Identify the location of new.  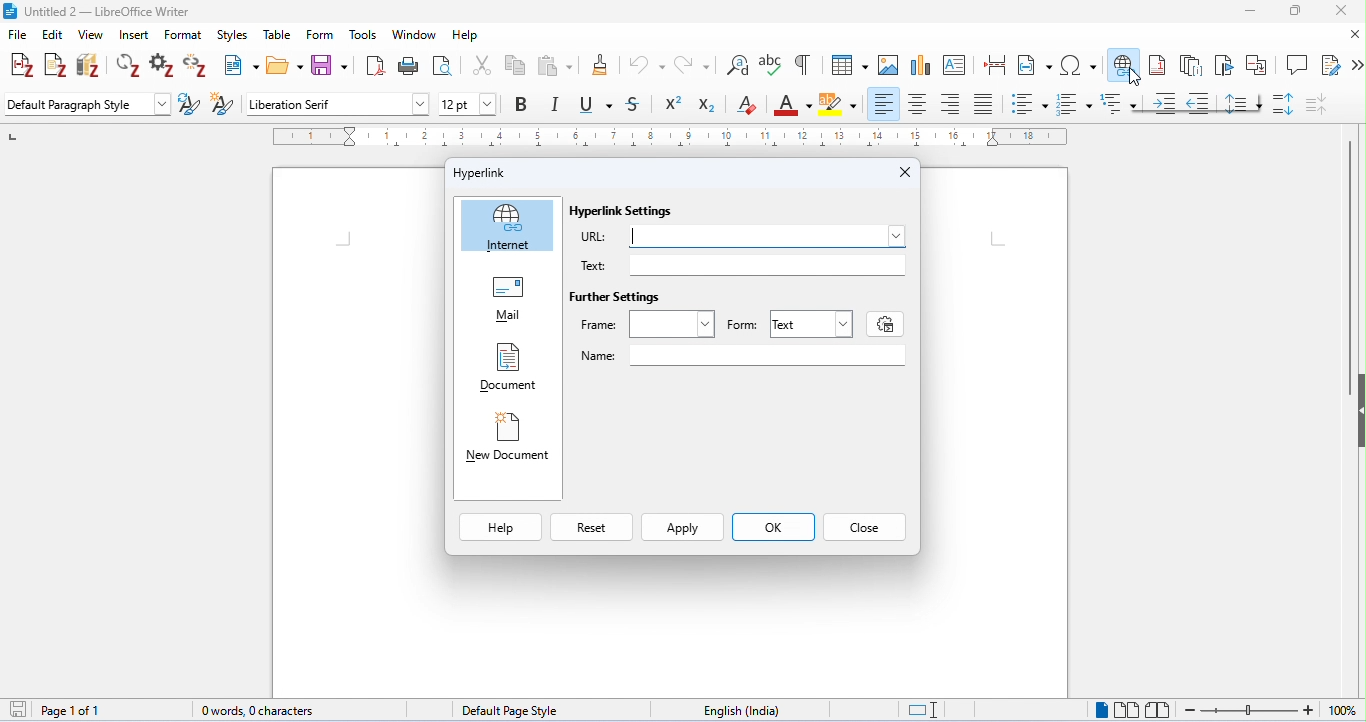
(239, 65).